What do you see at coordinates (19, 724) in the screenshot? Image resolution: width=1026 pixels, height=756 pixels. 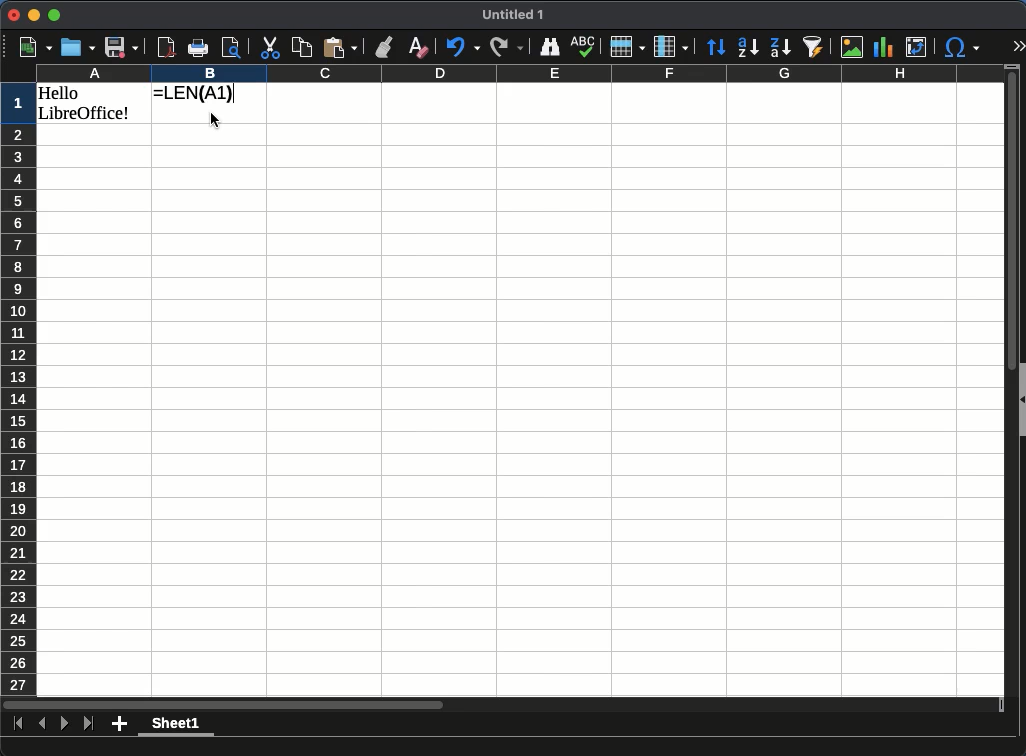 I see `last sheet` at bounding box center [19, 724].